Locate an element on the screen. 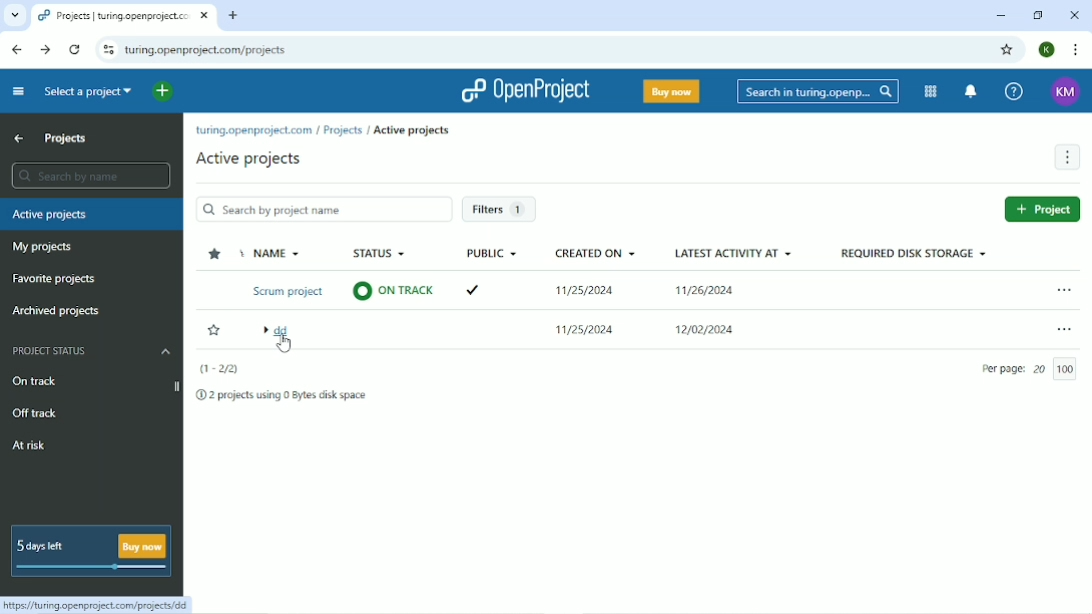 Image resolution: width=1092 pixels, height=614 pixels. Projects is located at coordinates (342, 131).